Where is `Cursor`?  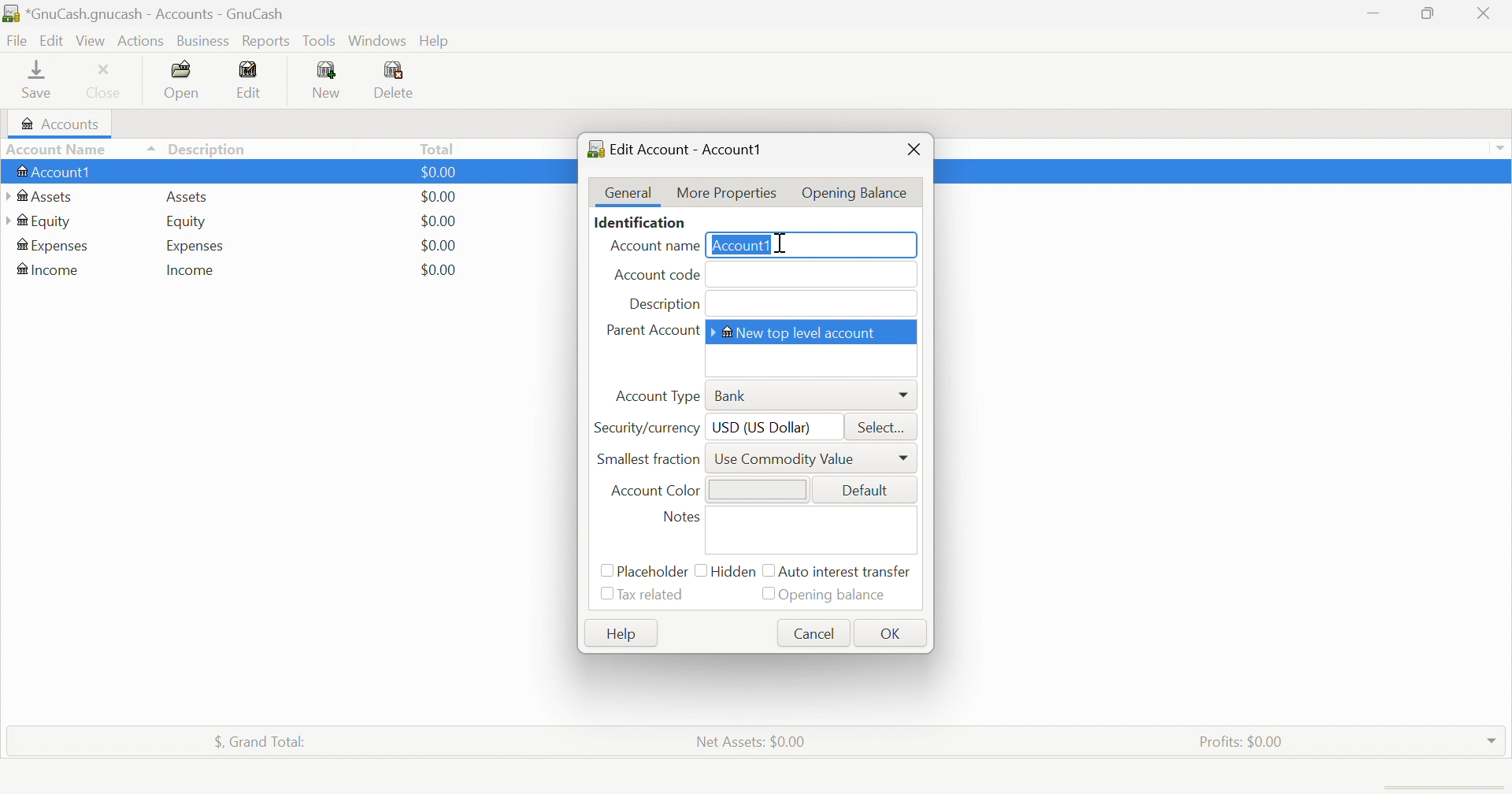 Cursor is located at coordinates (780, 241).